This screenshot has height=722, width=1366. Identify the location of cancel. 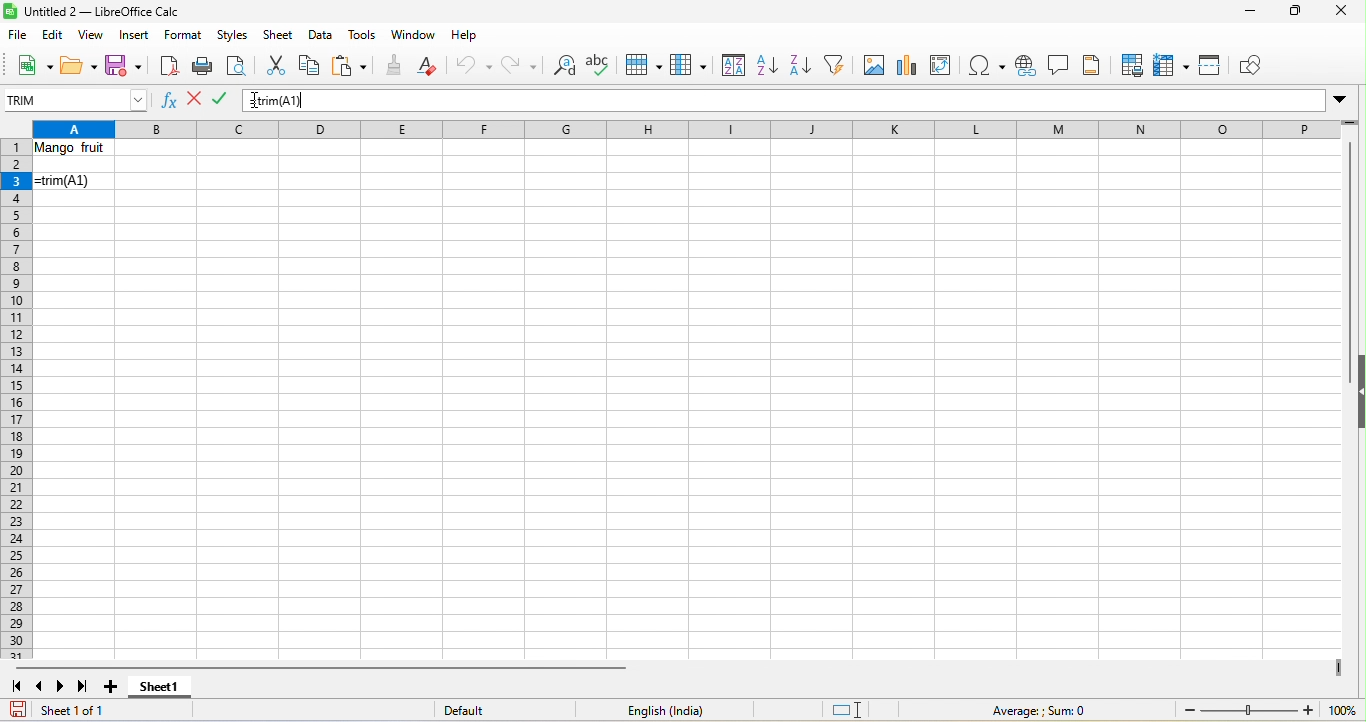
(195, 99).